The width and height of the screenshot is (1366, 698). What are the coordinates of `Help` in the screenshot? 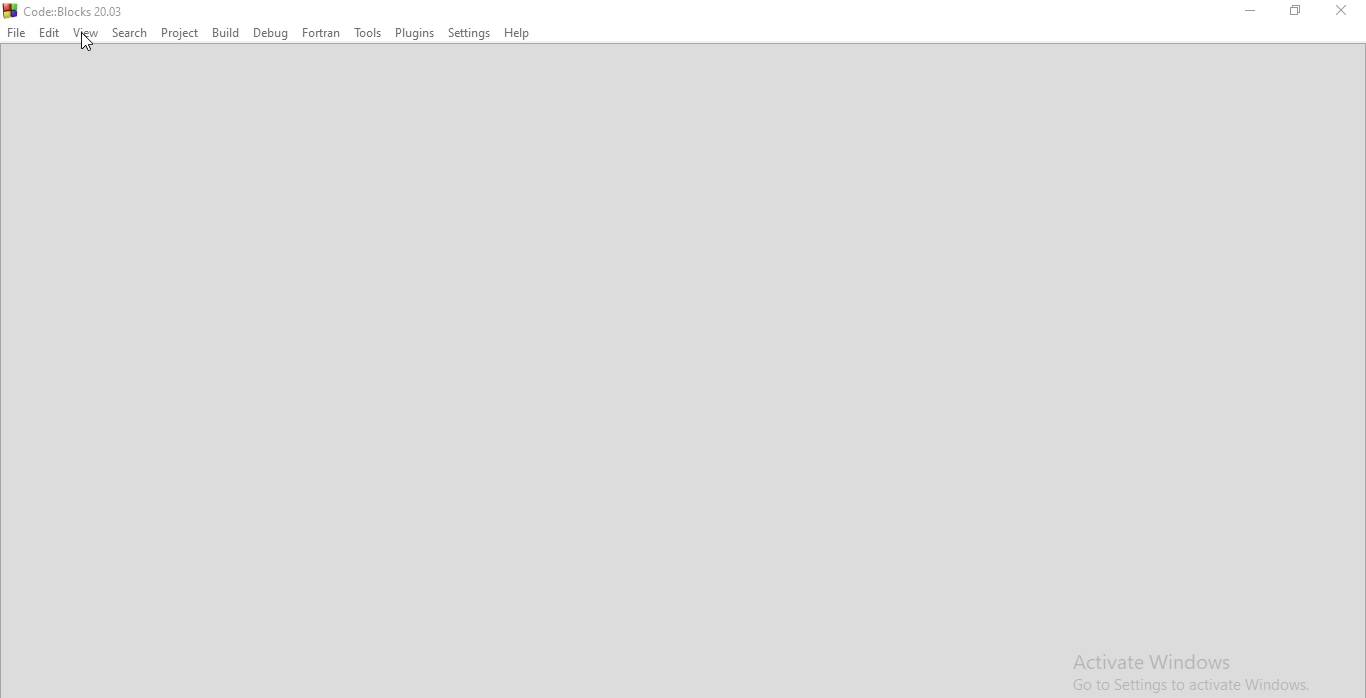 It's located at (519, 31).